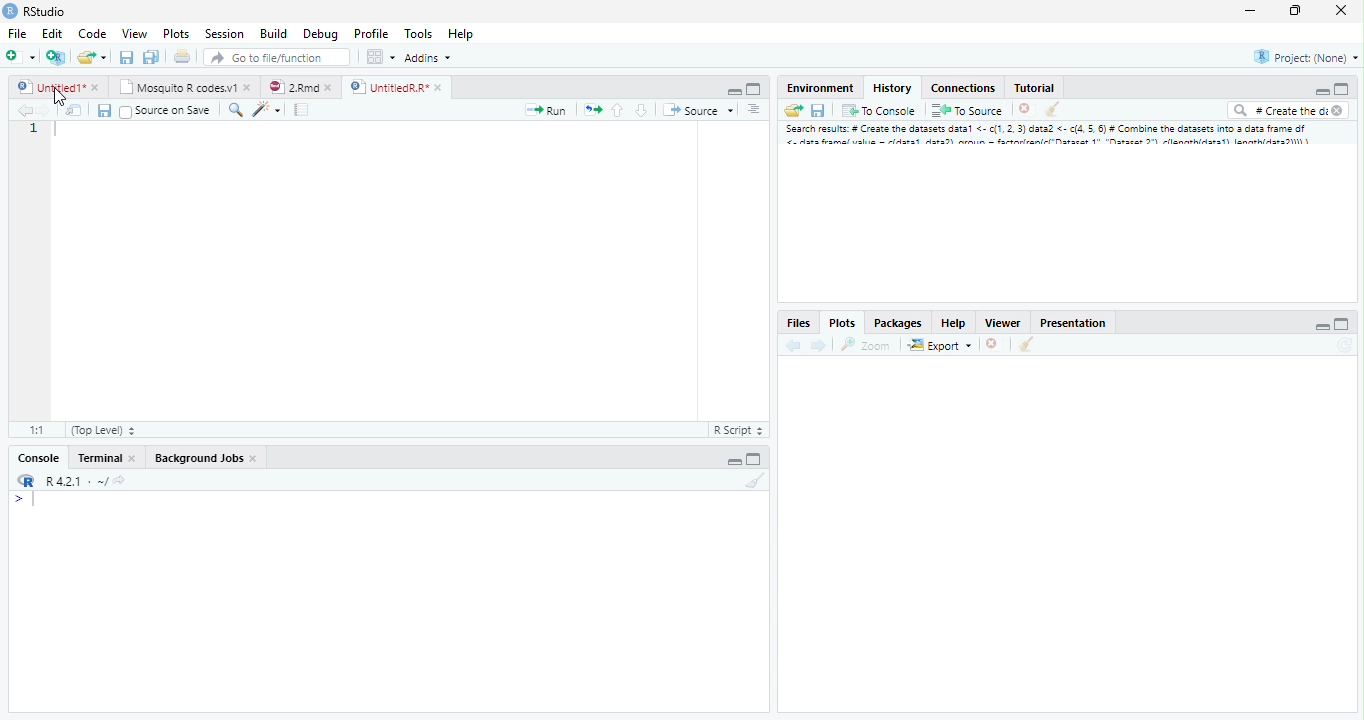  I want to click on Background Jobs, so click(207, 458).